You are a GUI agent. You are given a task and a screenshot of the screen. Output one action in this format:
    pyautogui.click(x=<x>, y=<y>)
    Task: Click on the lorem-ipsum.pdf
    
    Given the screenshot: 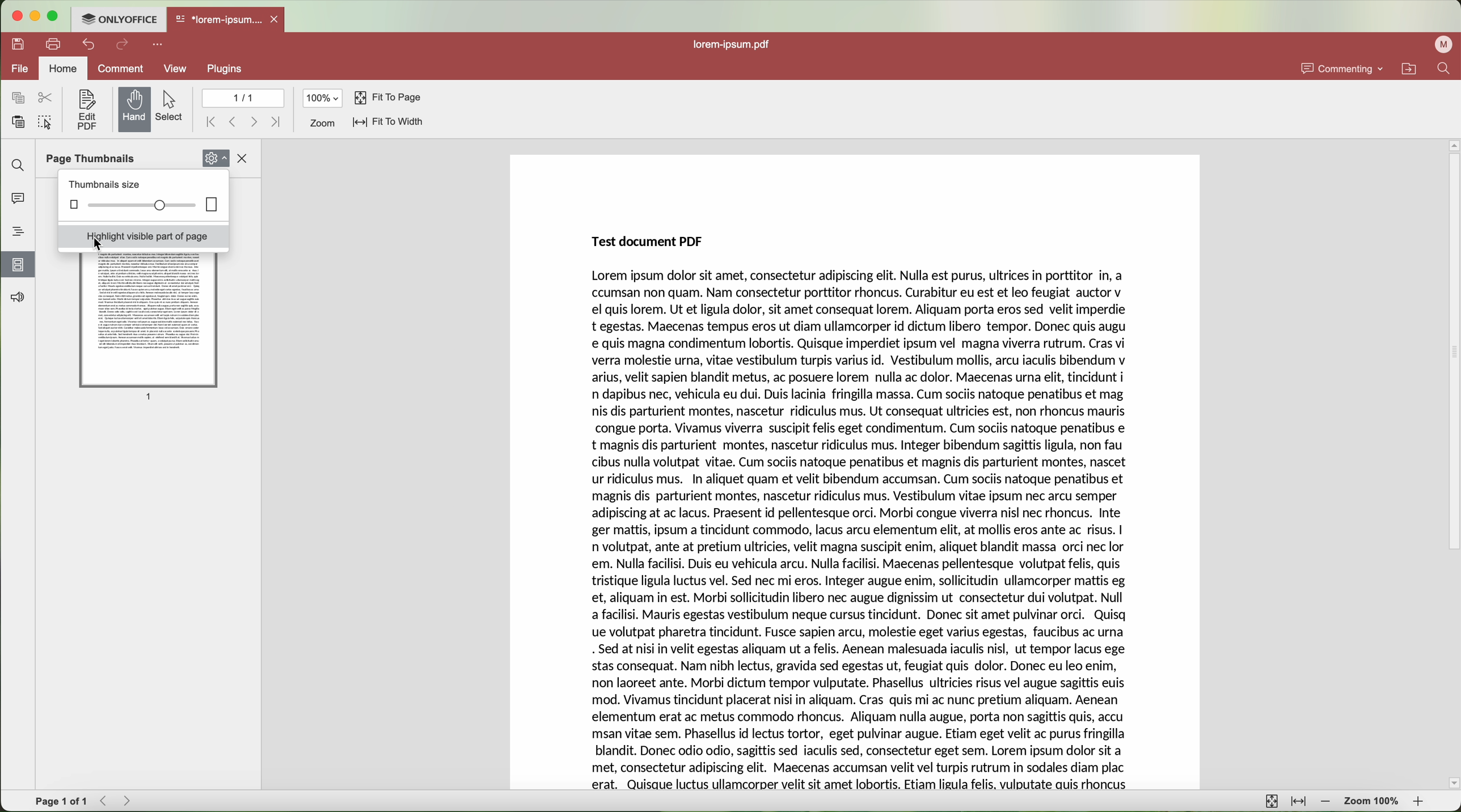 What is the action you would take?
    pyautogui.click(x=734, y=44)
    